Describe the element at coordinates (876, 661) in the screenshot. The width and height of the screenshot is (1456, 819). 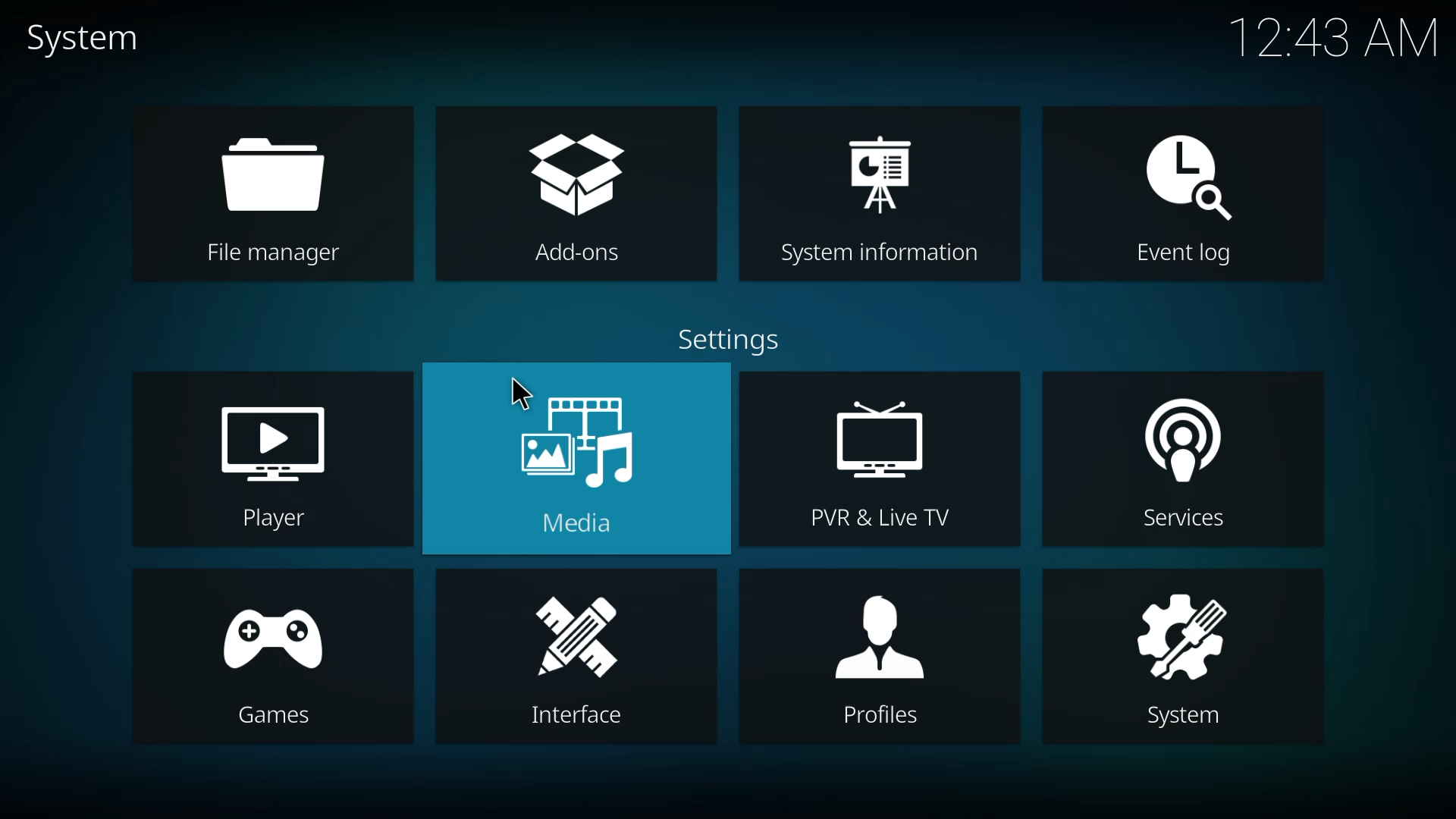
I see `profiles` at that location.